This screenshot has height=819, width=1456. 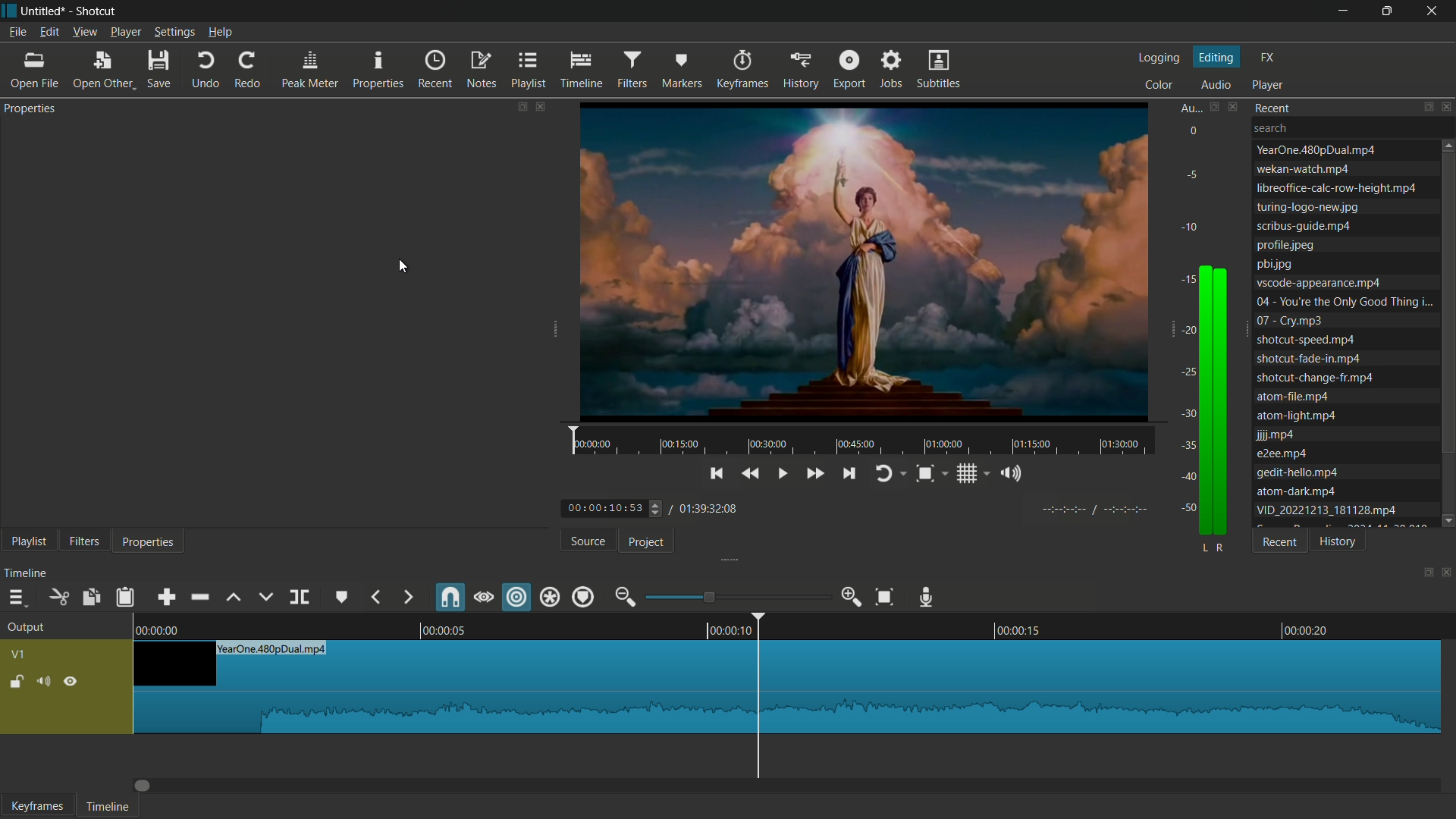 What do you see at coordinates (26, 628) in the screenshot?
I see `output` at bounding box center [26, 628].